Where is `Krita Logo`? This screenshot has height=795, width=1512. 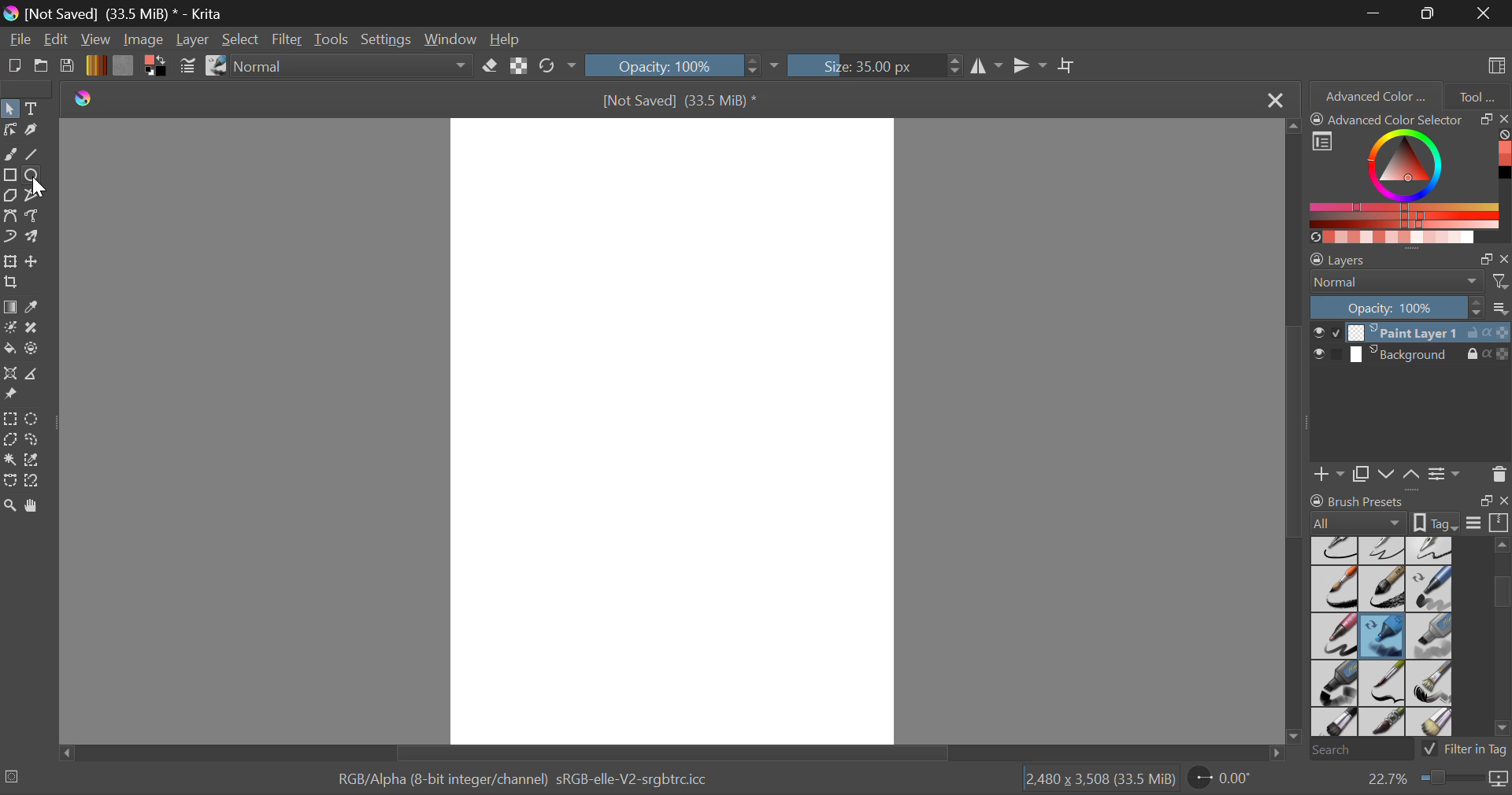 Krita Logo is located at coordinates (82, 99).